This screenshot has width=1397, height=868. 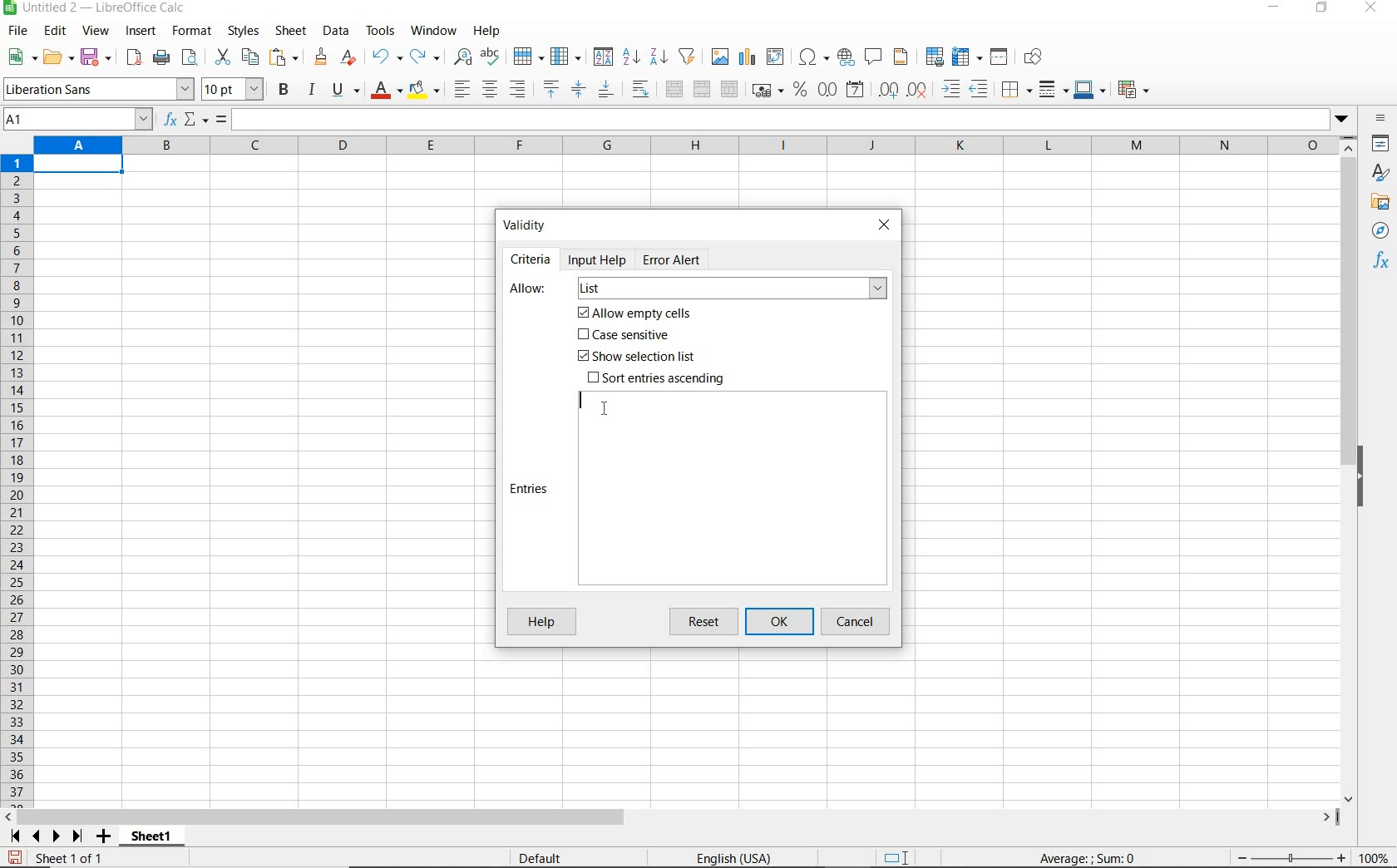 What do you see at coordinates (874, 57) in the screenshot?
I see `insert comment ` at bounding box center [874, 57].